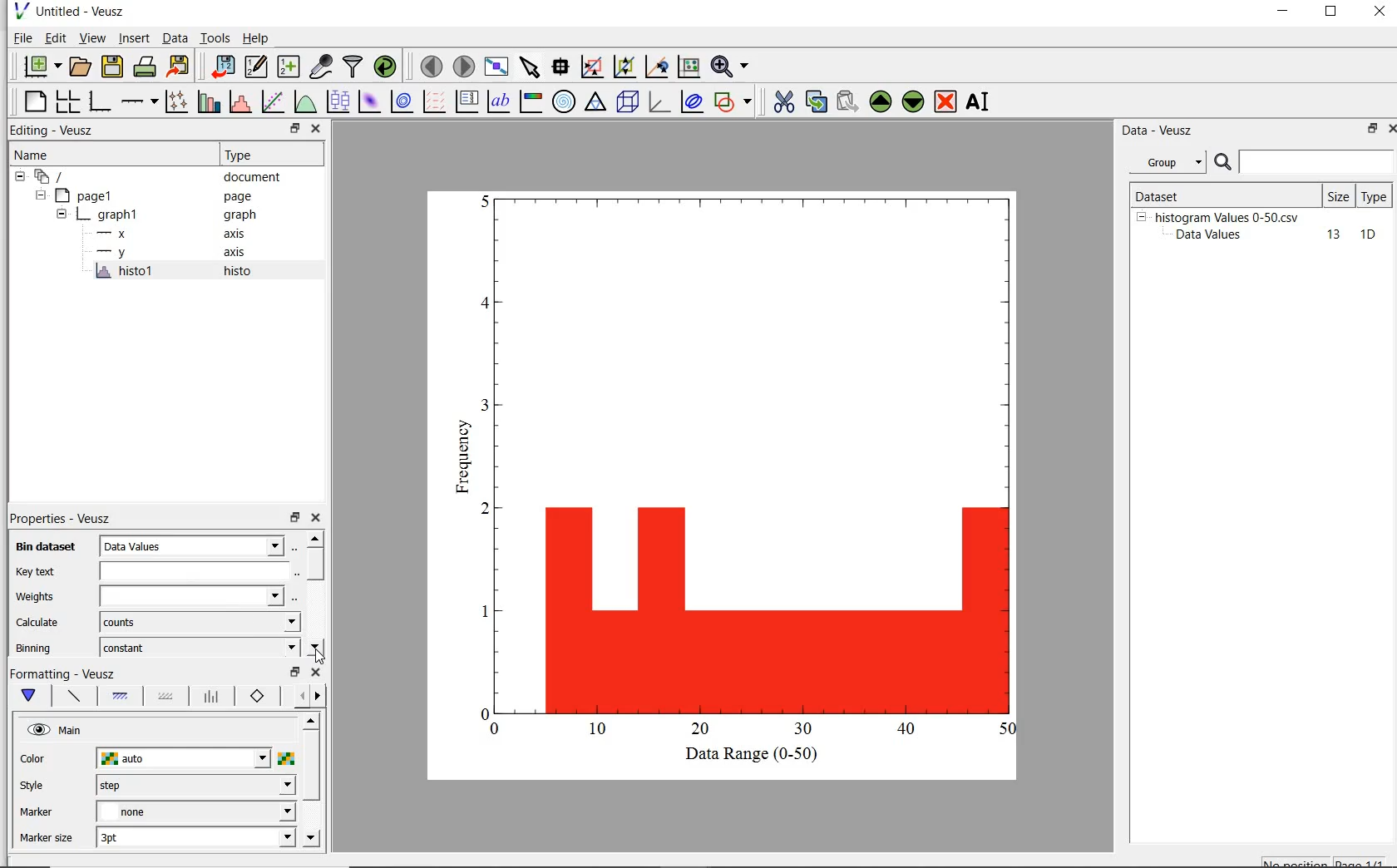 This screenshot has width=1397, height=868. What do you see at coordinates (239, 102) in the screenshot?
I see `histogram of a dataset` at bounding box center [239, 102].